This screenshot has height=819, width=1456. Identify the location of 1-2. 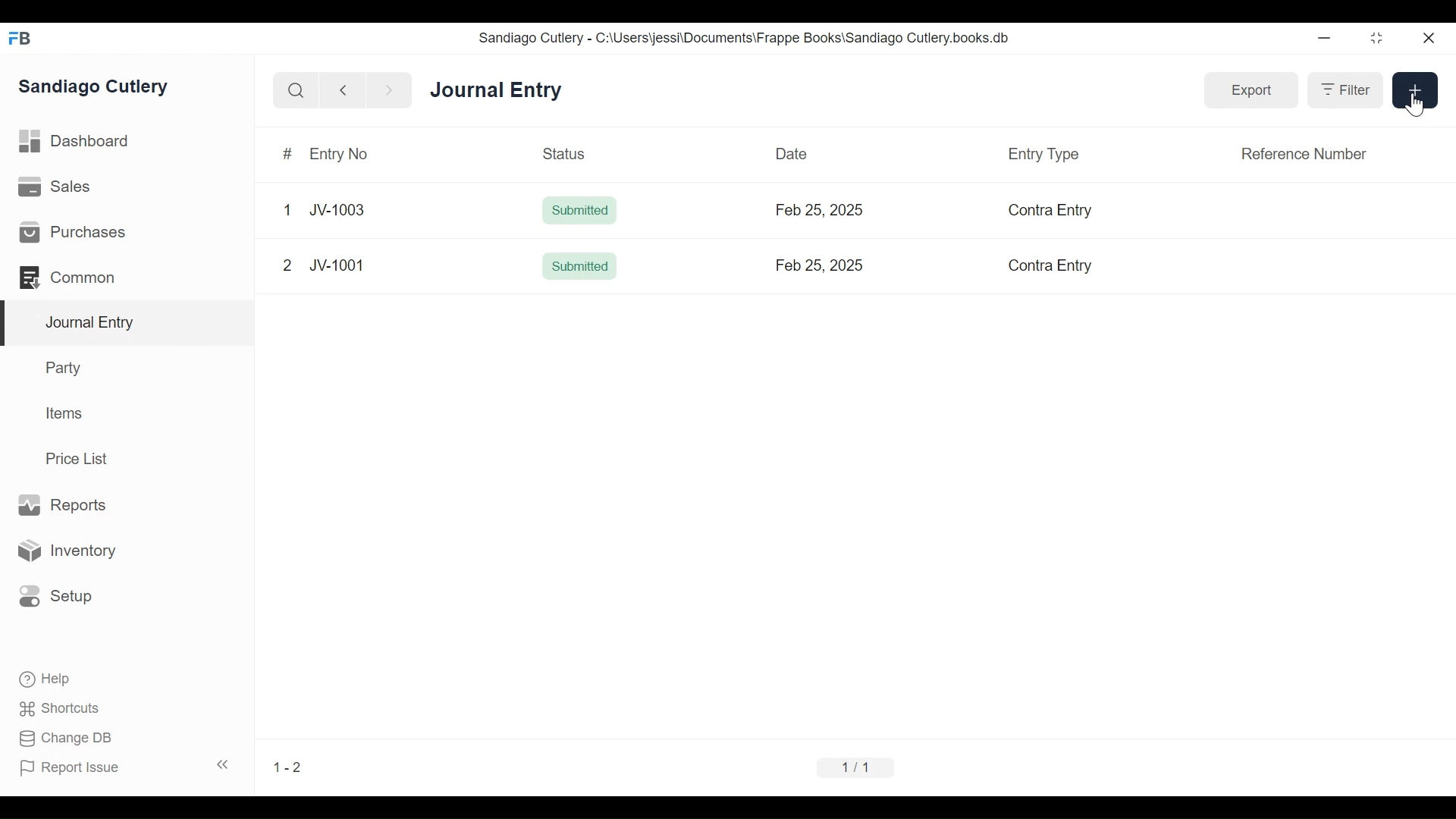
(287, 767).